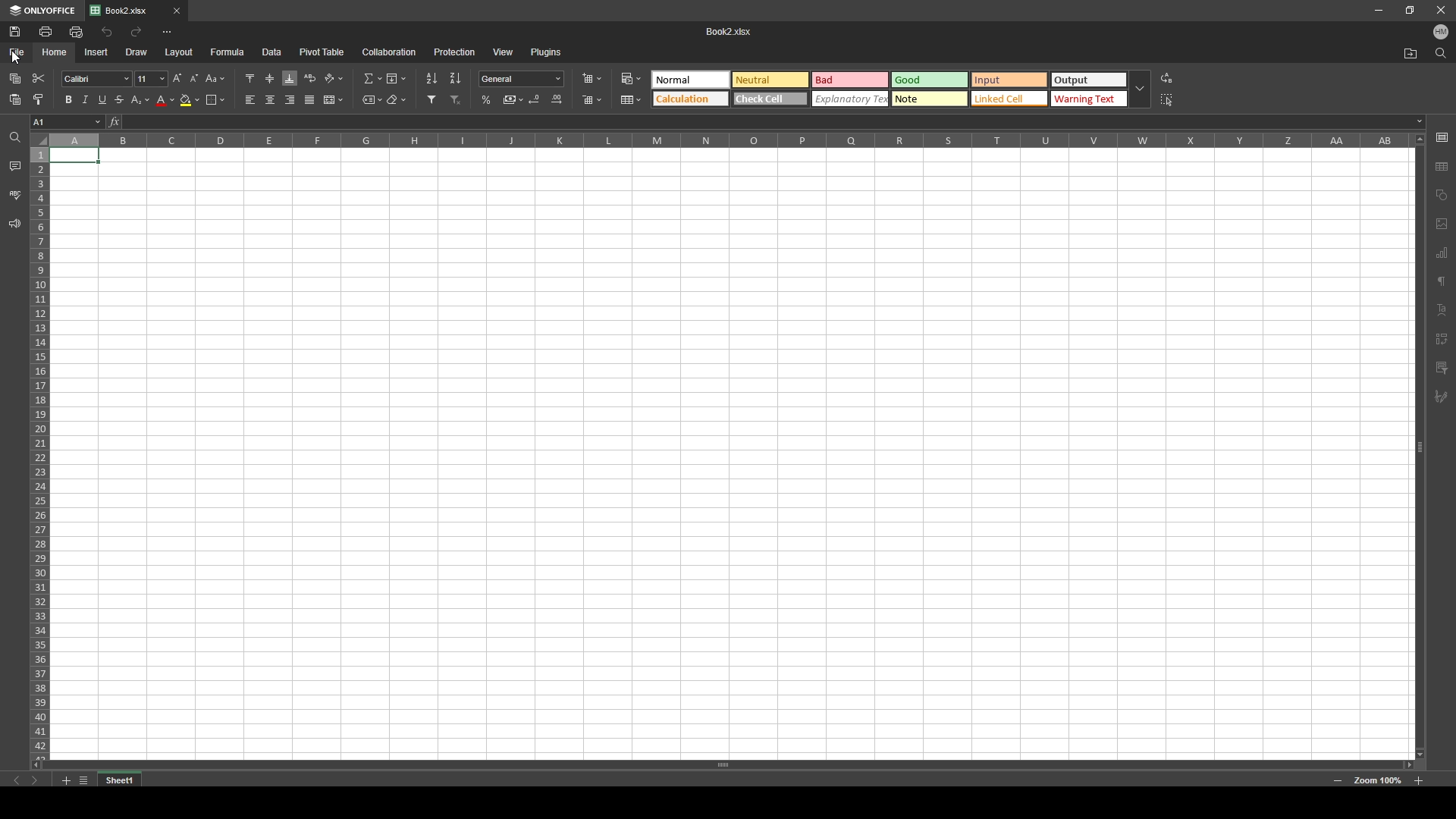 The width and height of the screenshot is (1456, 819). Describe the element at coordinates (140, 99) in the screenshot. I see `subscript` at that location.